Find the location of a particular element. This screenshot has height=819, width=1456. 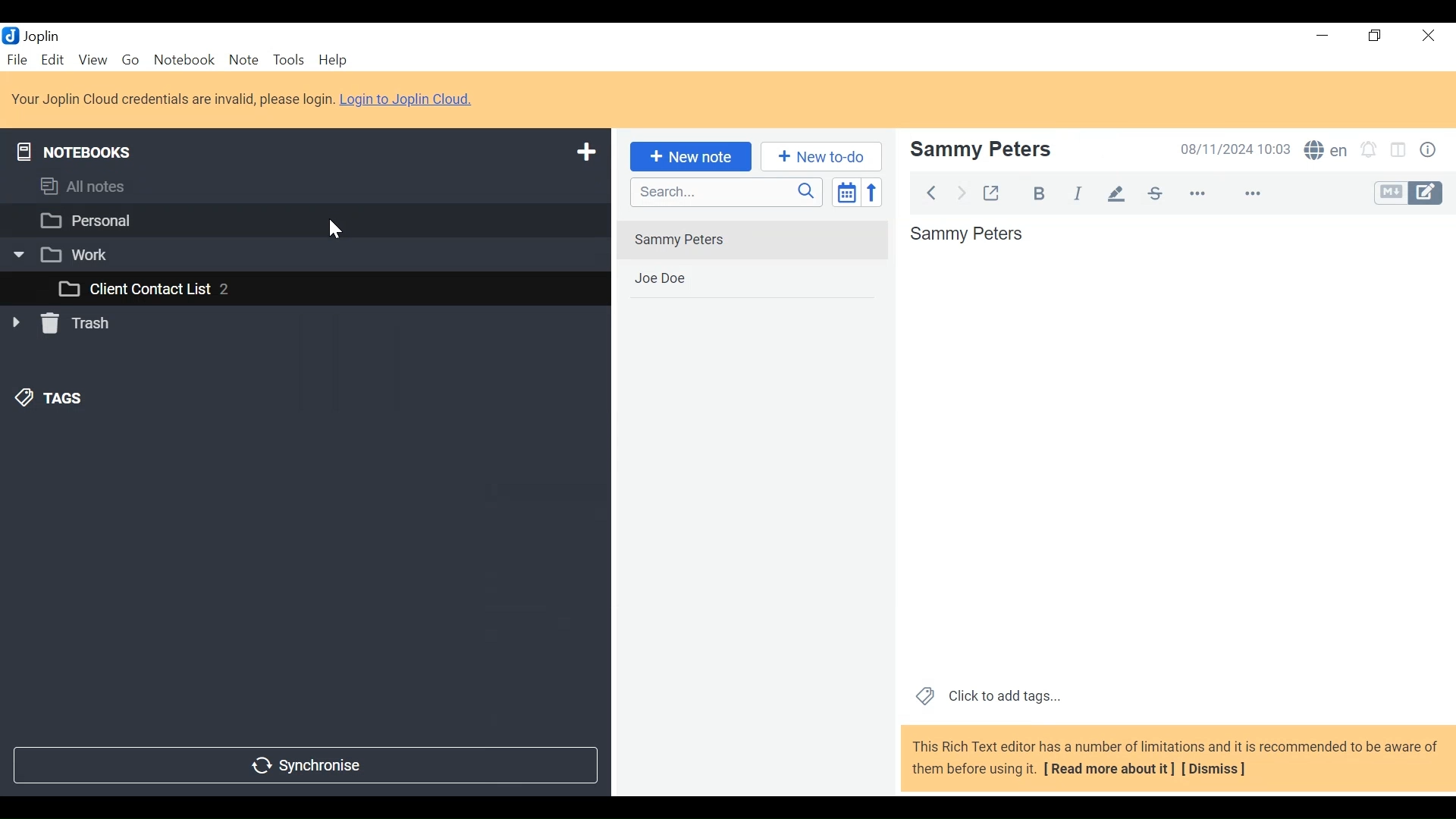

Bold is located at coordinates (1040, 194).